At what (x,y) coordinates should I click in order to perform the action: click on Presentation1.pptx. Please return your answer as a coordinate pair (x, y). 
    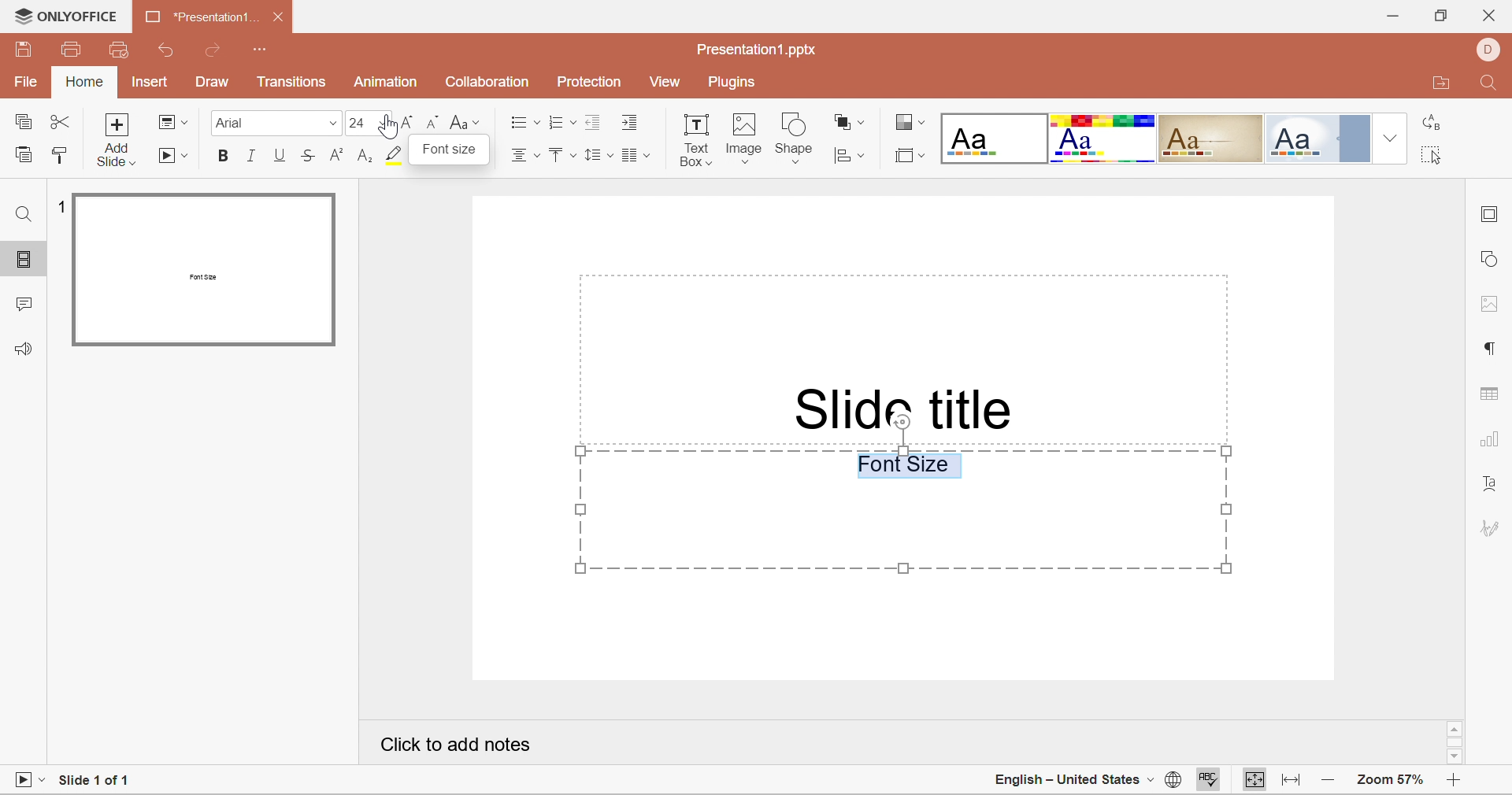
    Looking at the image, I should click on (757, 50).